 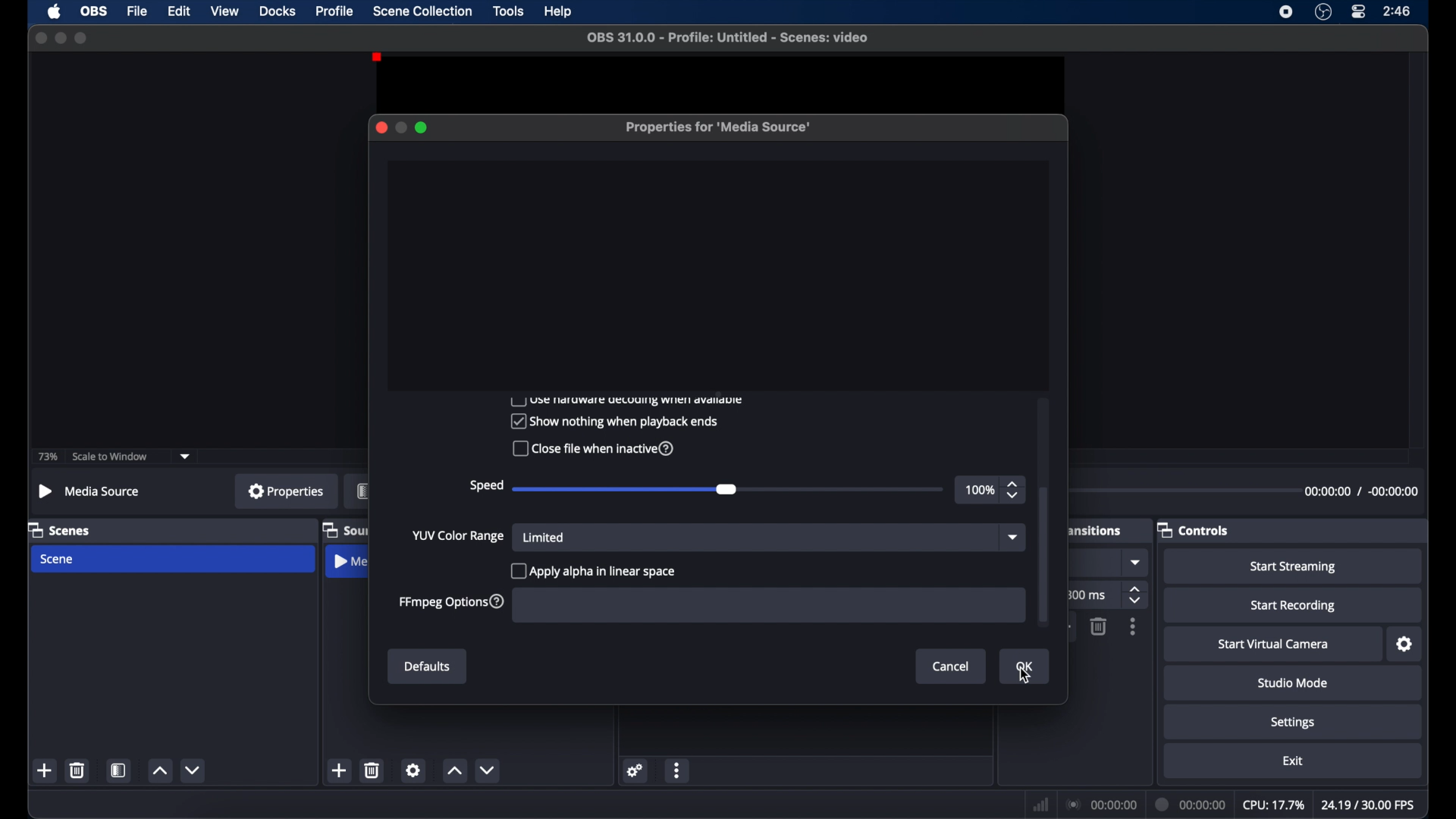 What do you see at coordinates (46, 457) in the screenshot?
I see `73%` at bounding box center [46, 457].